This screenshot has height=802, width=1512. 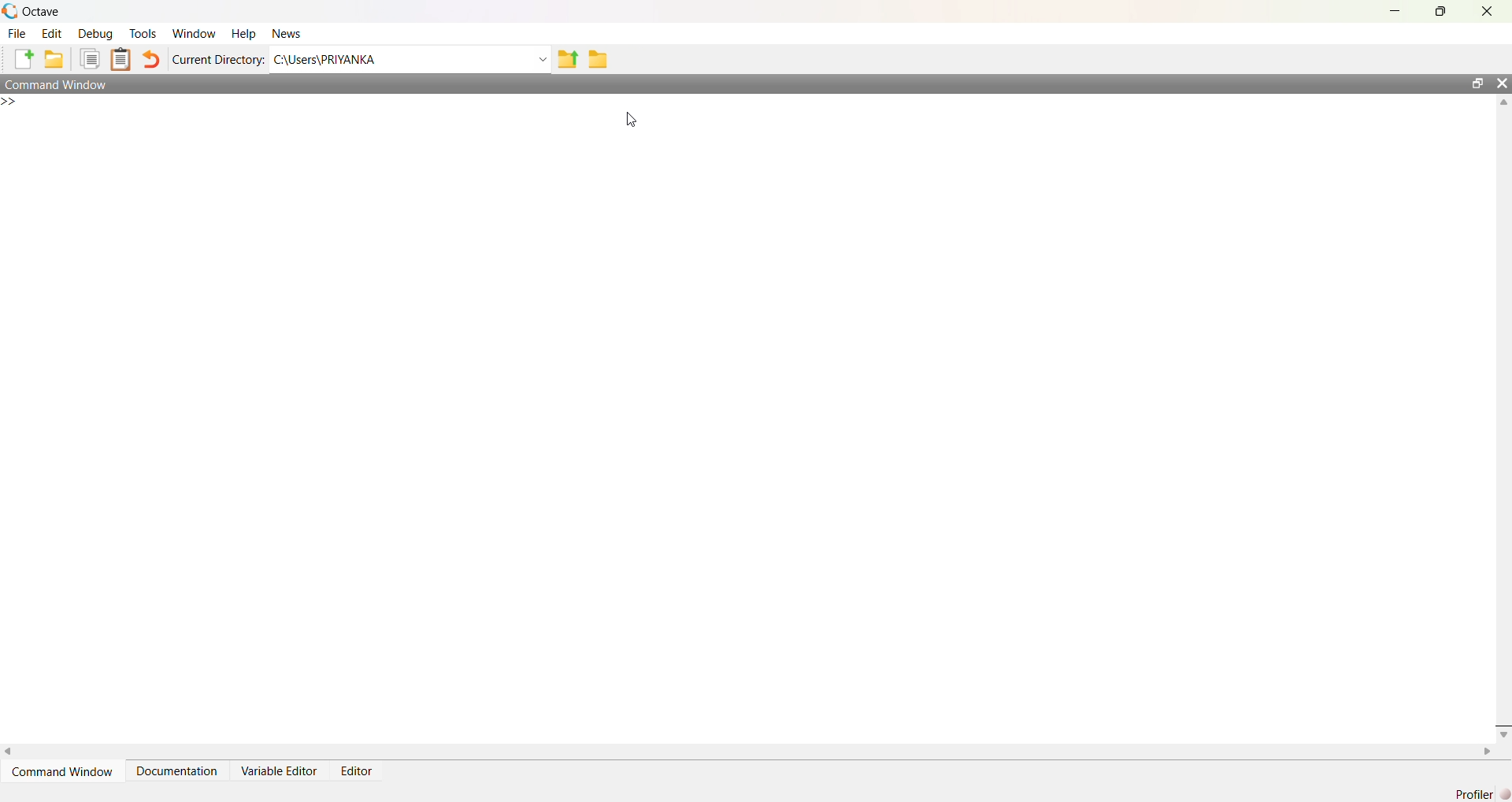 What do you see at coordinates (359, 772) in the screenshot?
I see `Editor` at bounding box center [359, 772].